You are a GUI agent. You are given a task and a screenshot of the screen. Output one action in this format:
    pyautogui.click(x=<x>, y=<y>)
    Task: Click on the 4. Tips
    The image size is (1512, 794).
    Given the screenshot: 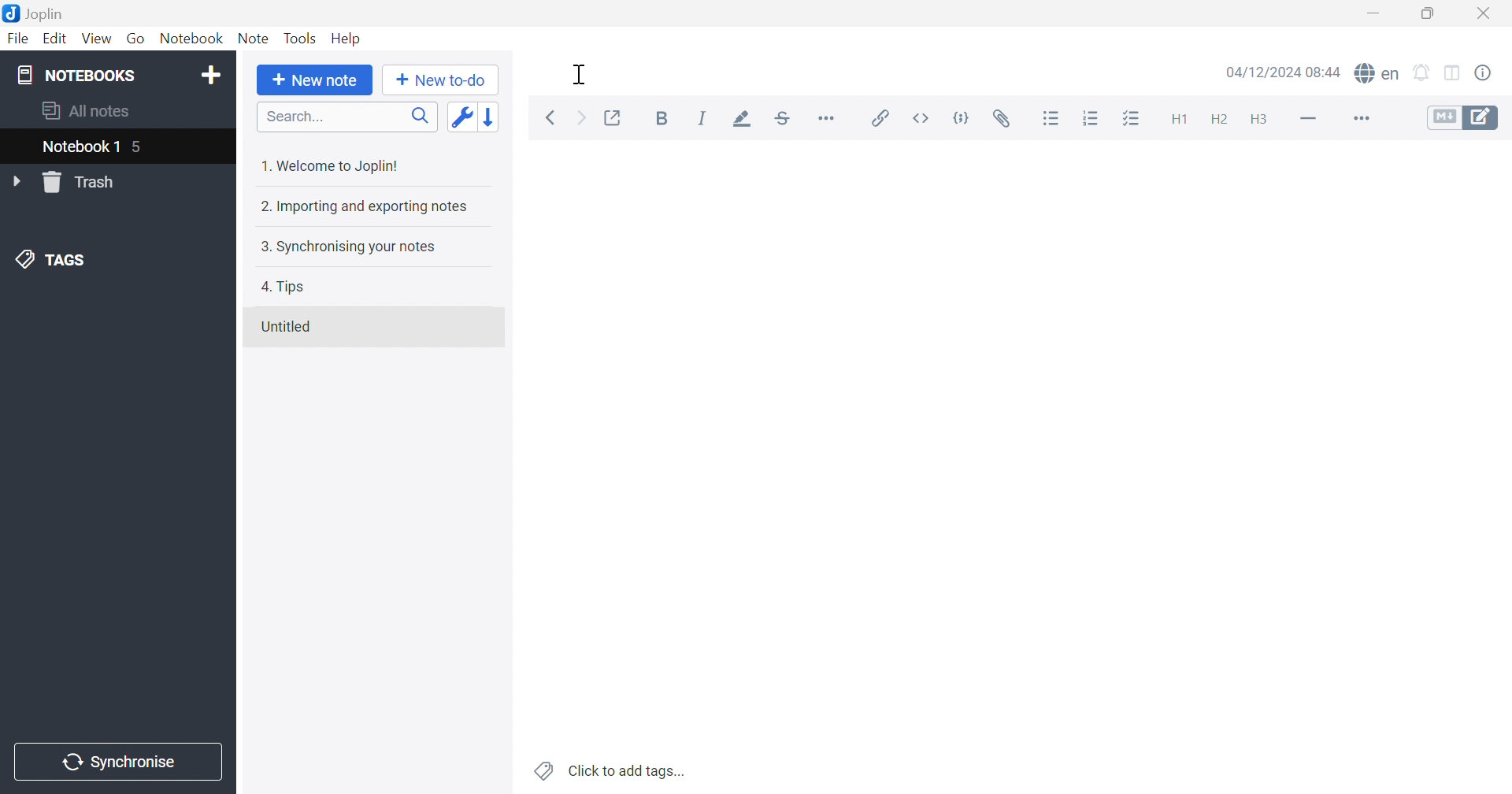 What is the action you would take?
    pyautogui.click(x=290, y=288)
    